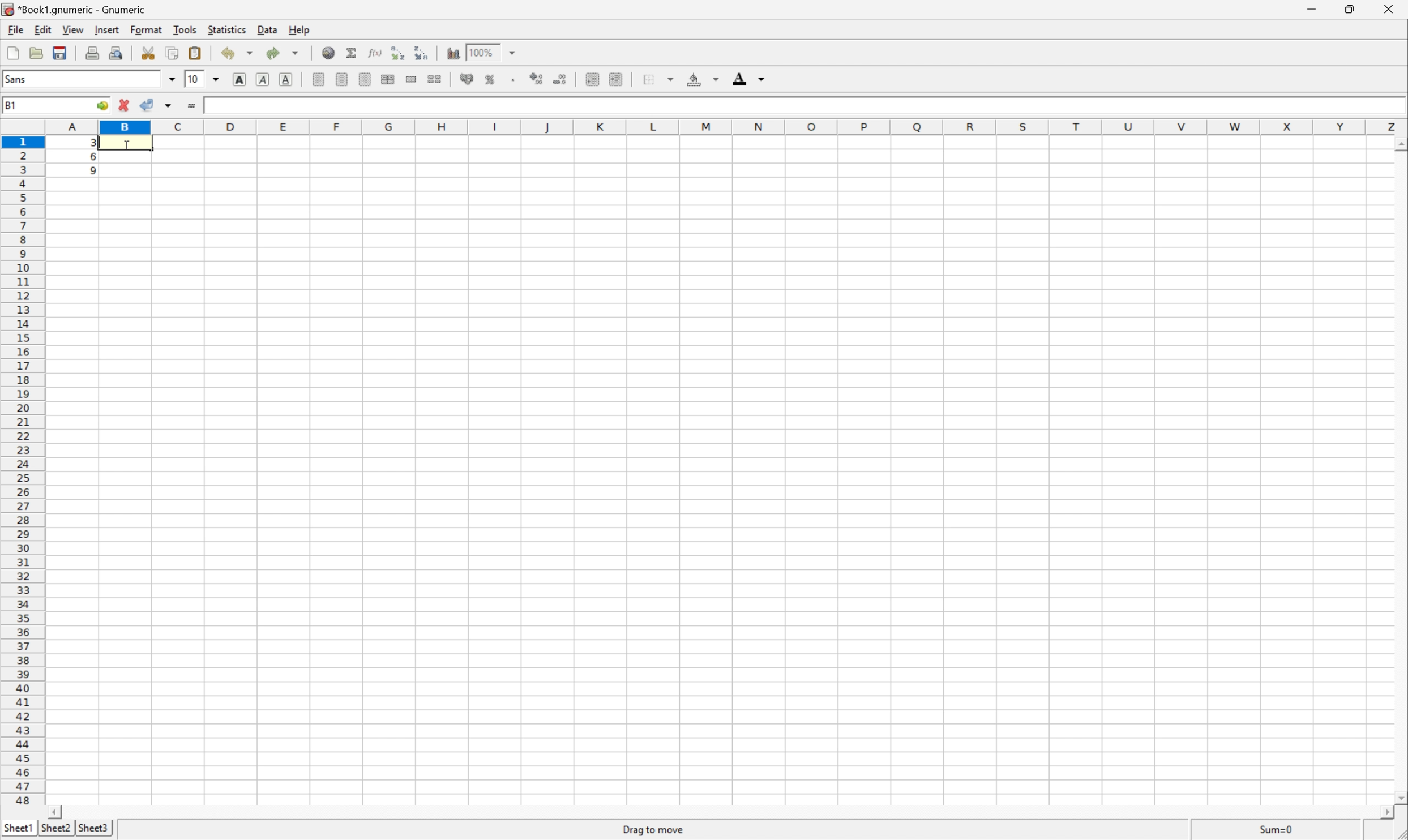 This screenshot has width=1408, height=840. Describe the element at coordinates (374, 52) in the screenshot. I see `Edit a function in current cell` at that location.